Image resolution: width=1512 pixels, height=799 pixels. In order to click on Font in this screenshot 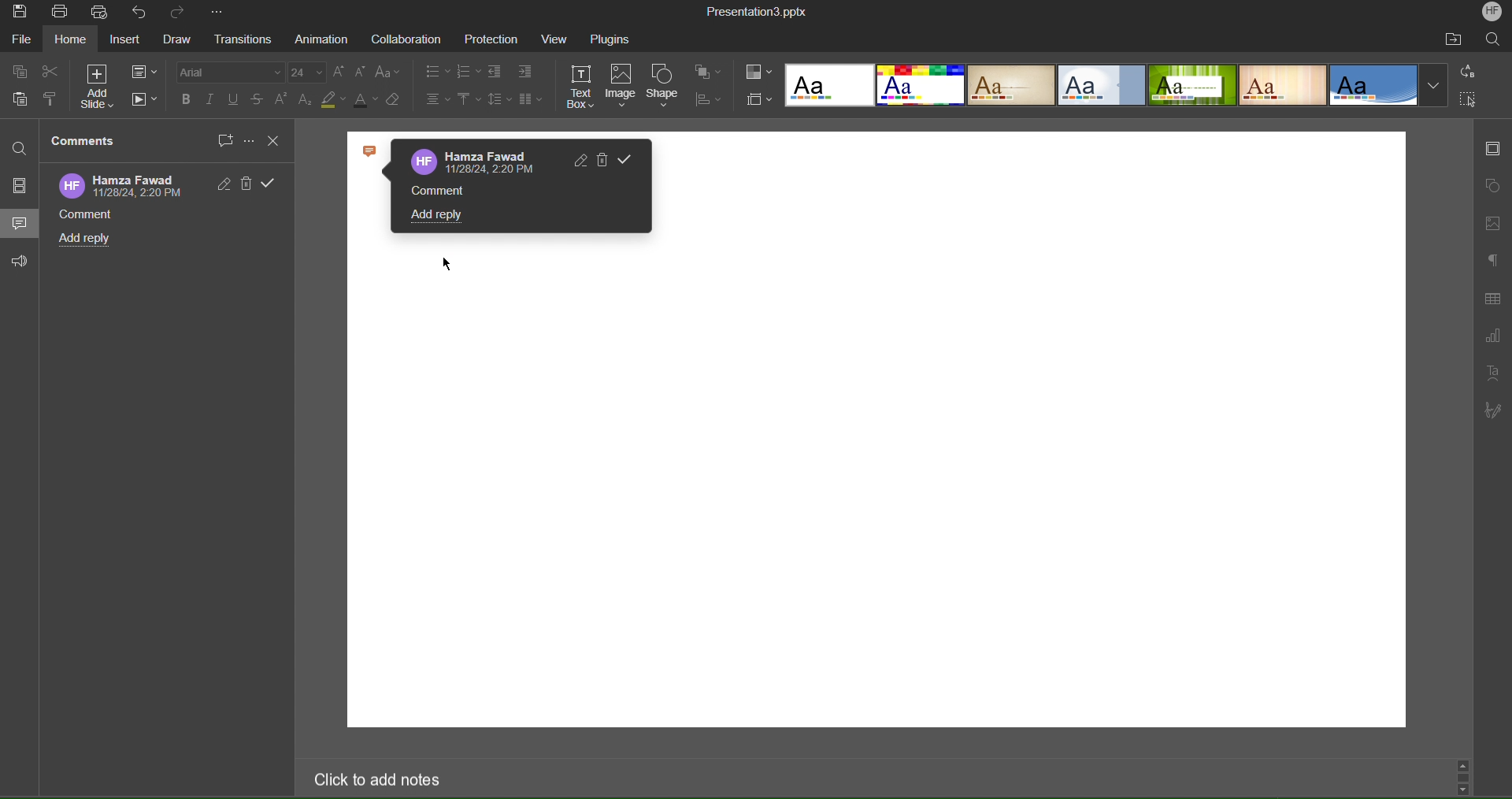, I will do `click(231, 72)`.